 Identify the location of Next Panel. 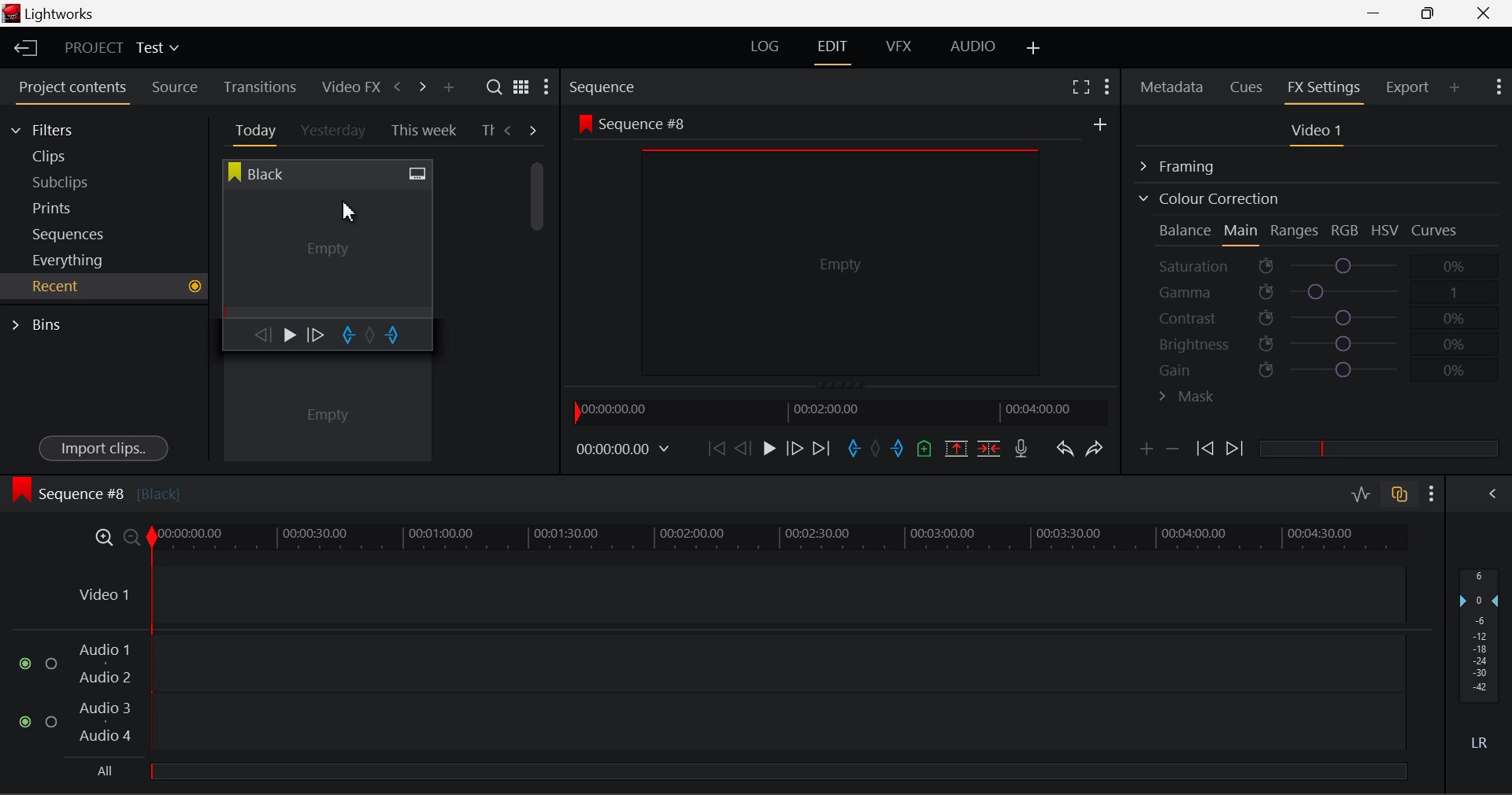
(420, 86).